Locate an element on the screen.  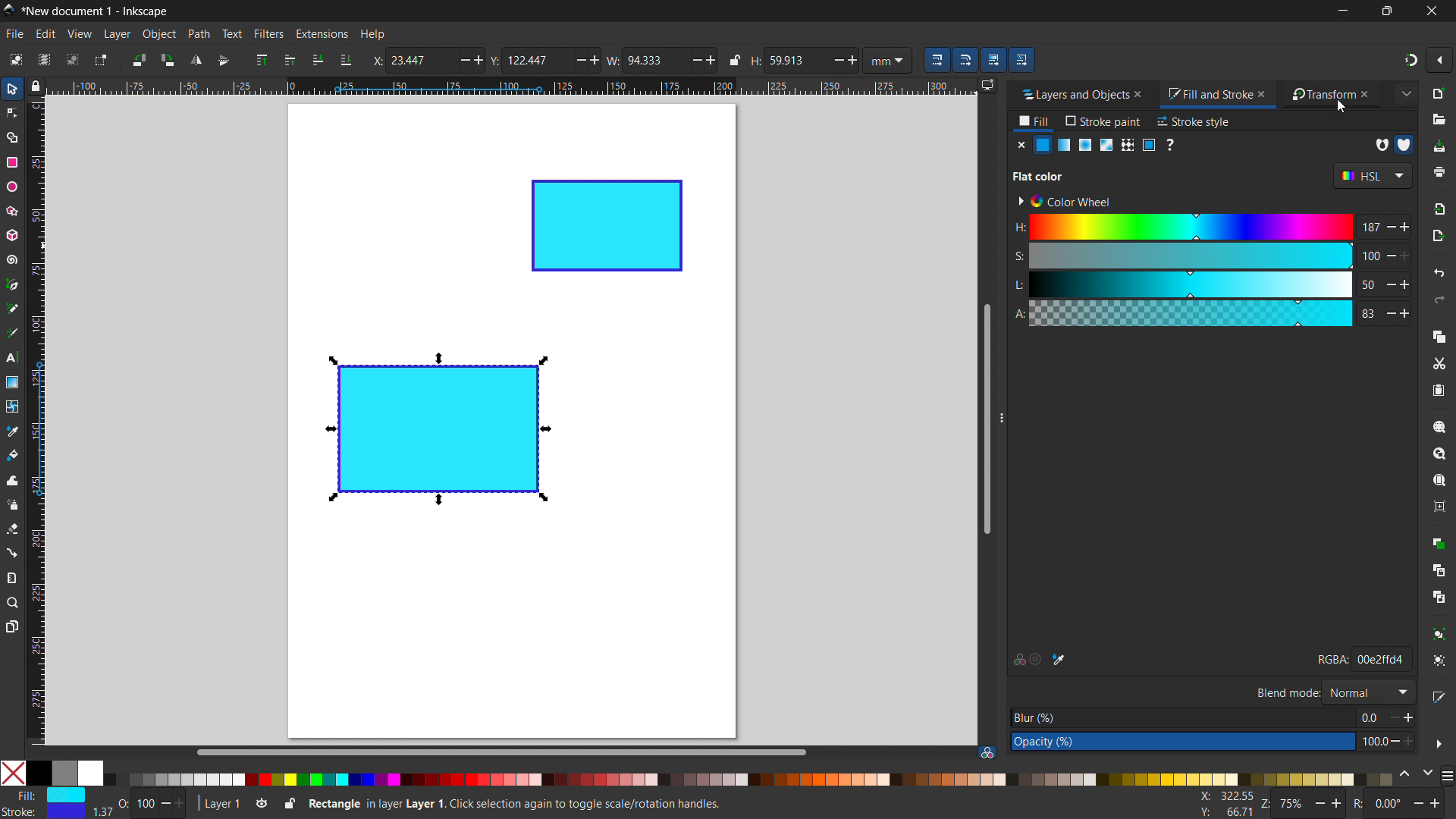
ellipse tool is located at coordinates (11, 186).